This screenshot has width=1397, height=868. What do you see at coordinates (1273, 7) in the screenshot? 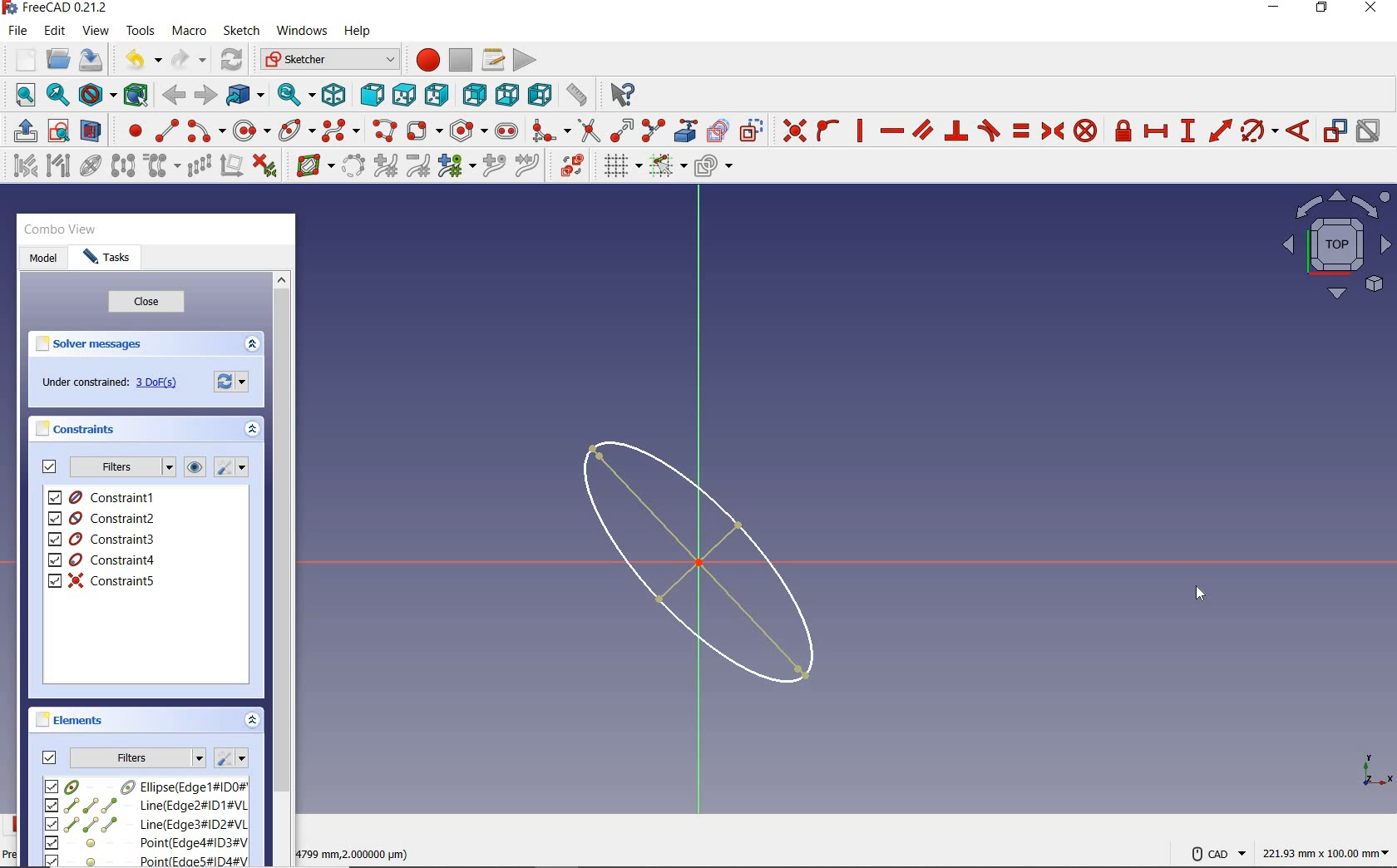
I see `minimize` at bounding box center [1273, 7].